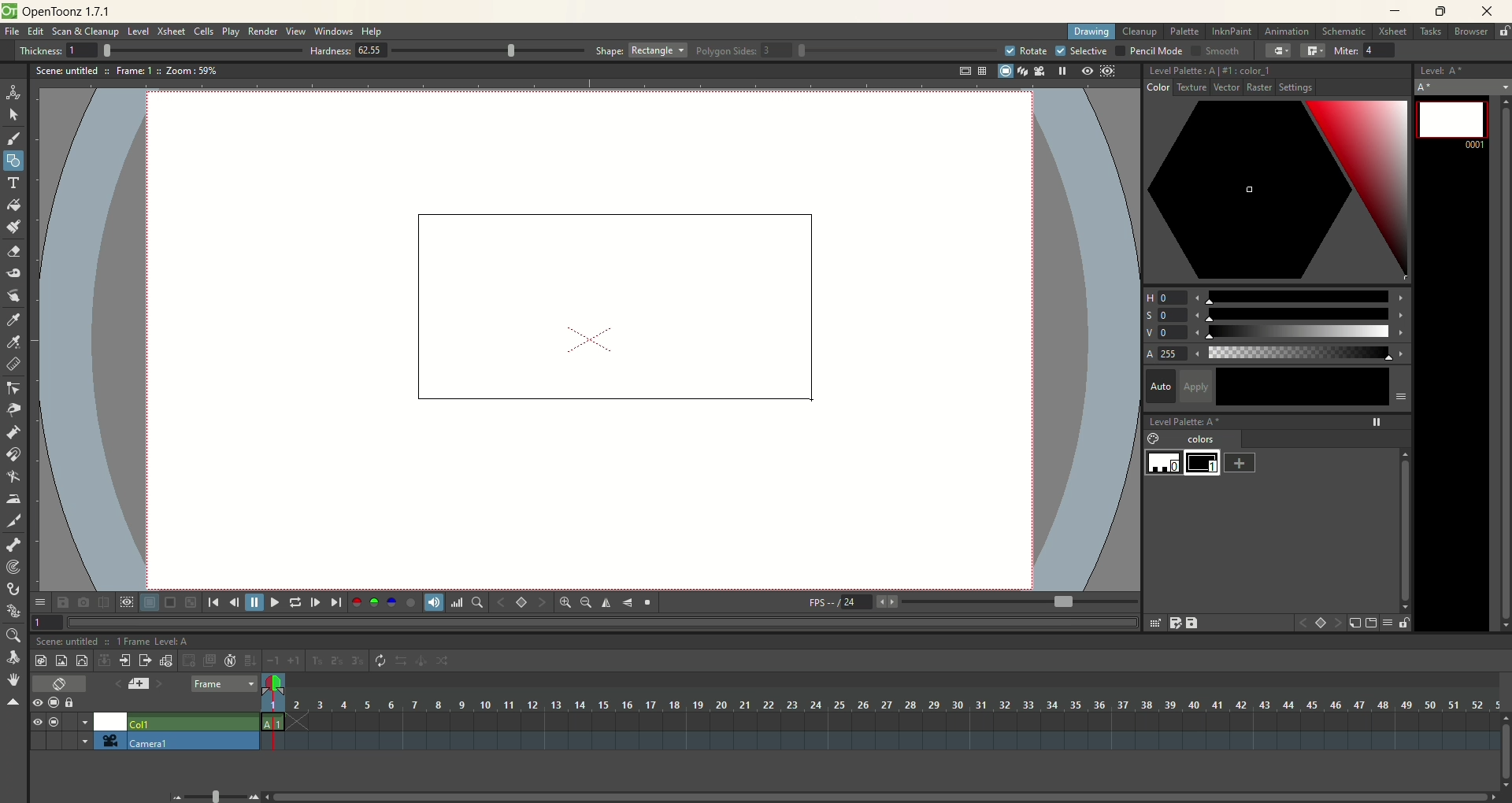 The height and width of the screenshot is (803, 1512). What do you see at coordinates (213, 602) in the screenshot?
I see `first frame` at bounding box center [213, 602].